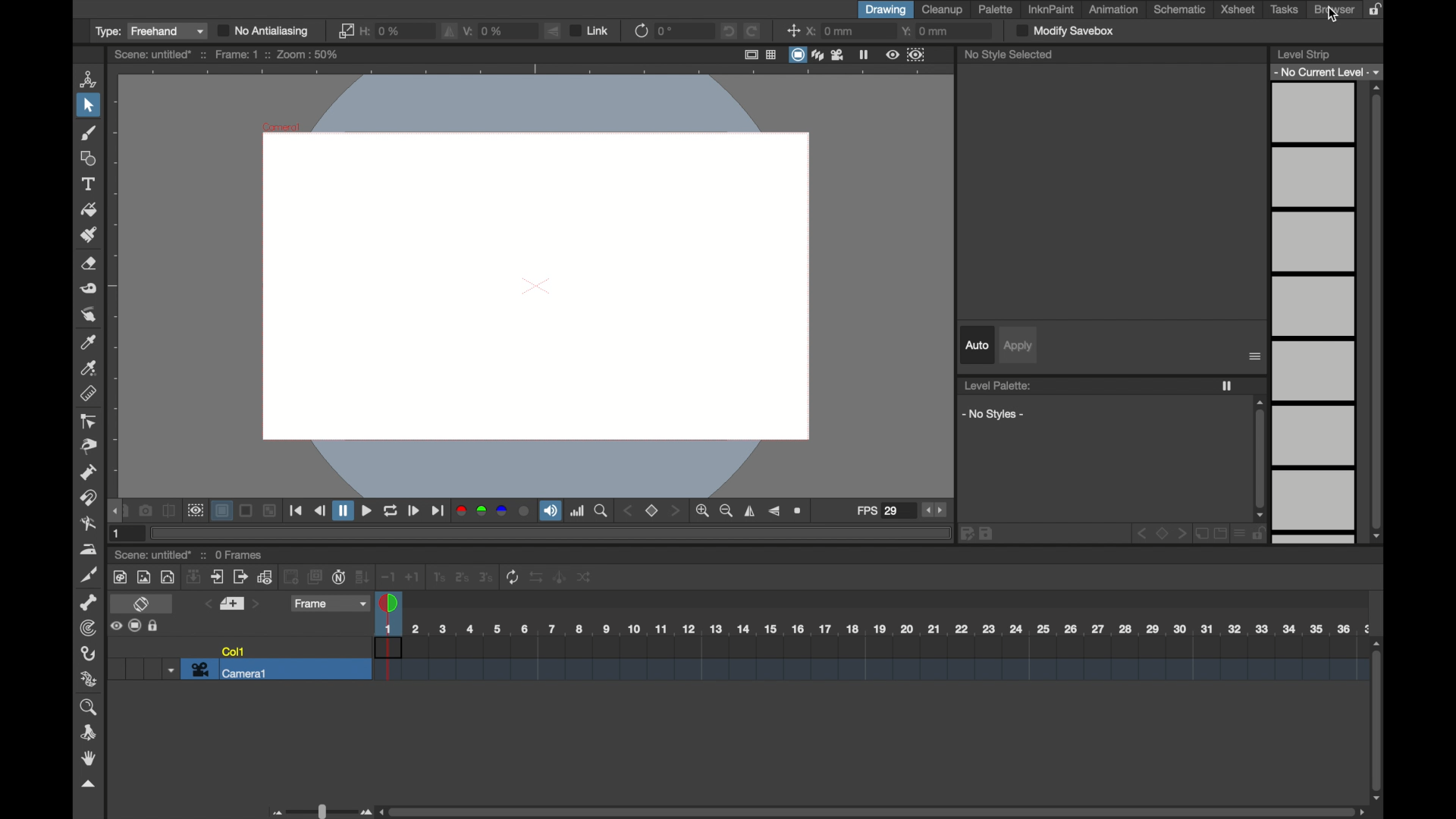 The height and width of the screenshot is (819, 1456). I want to click on 1, so click(438, 576).